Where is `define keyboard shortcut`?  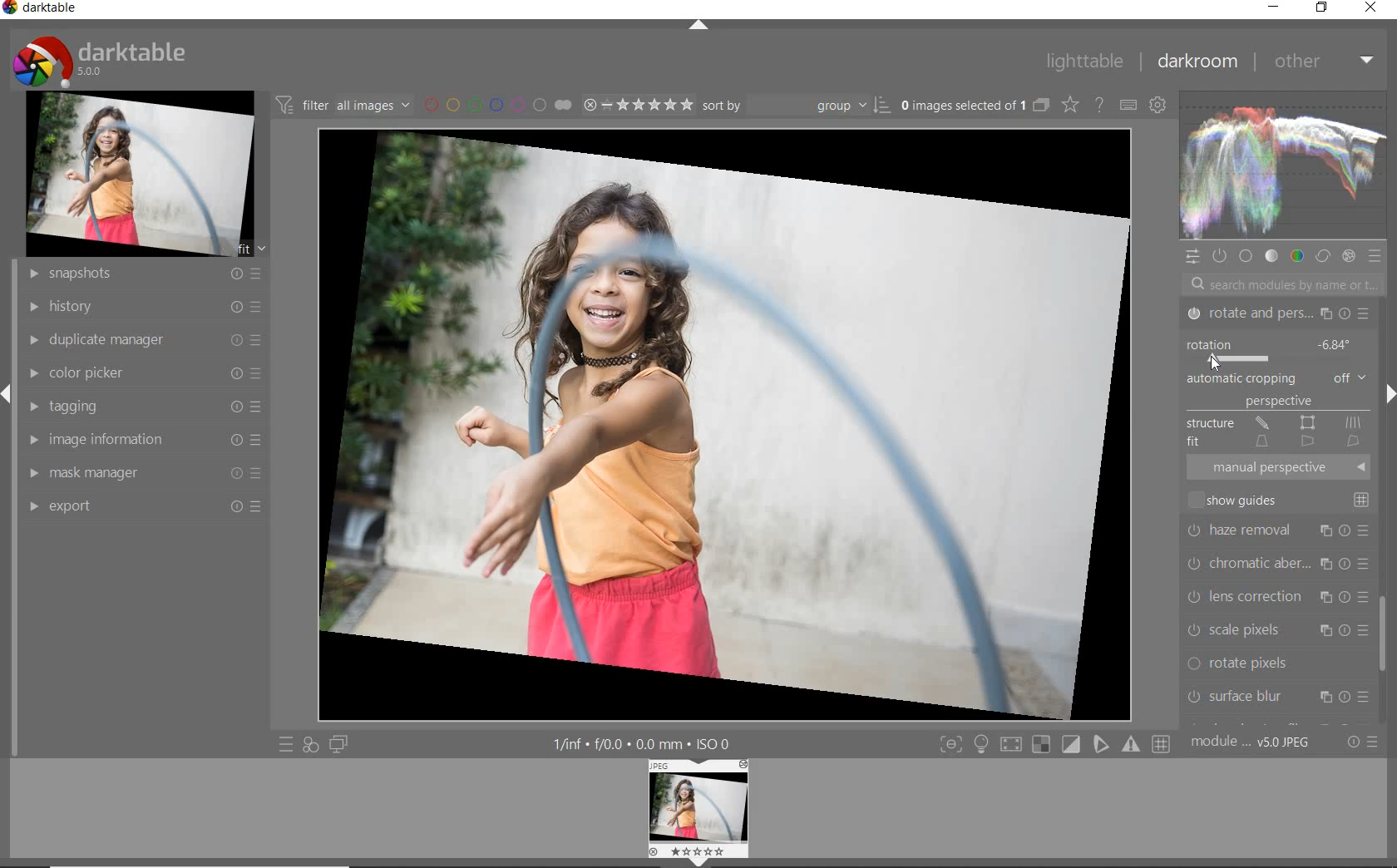 define keyboard shortcut is located at coordinates (1128, 106).